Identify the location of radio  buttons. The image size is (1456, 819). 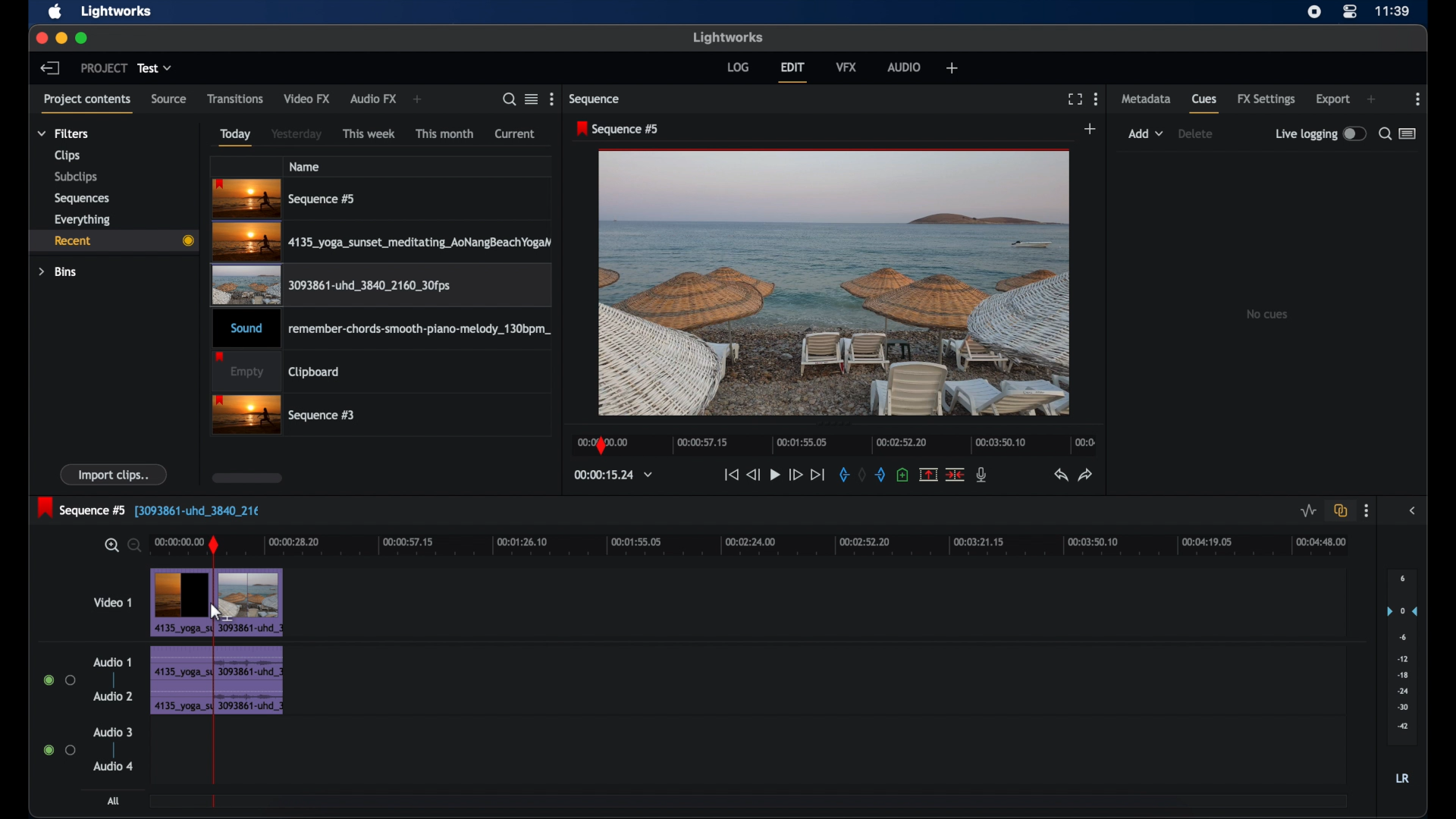
(60, 750).